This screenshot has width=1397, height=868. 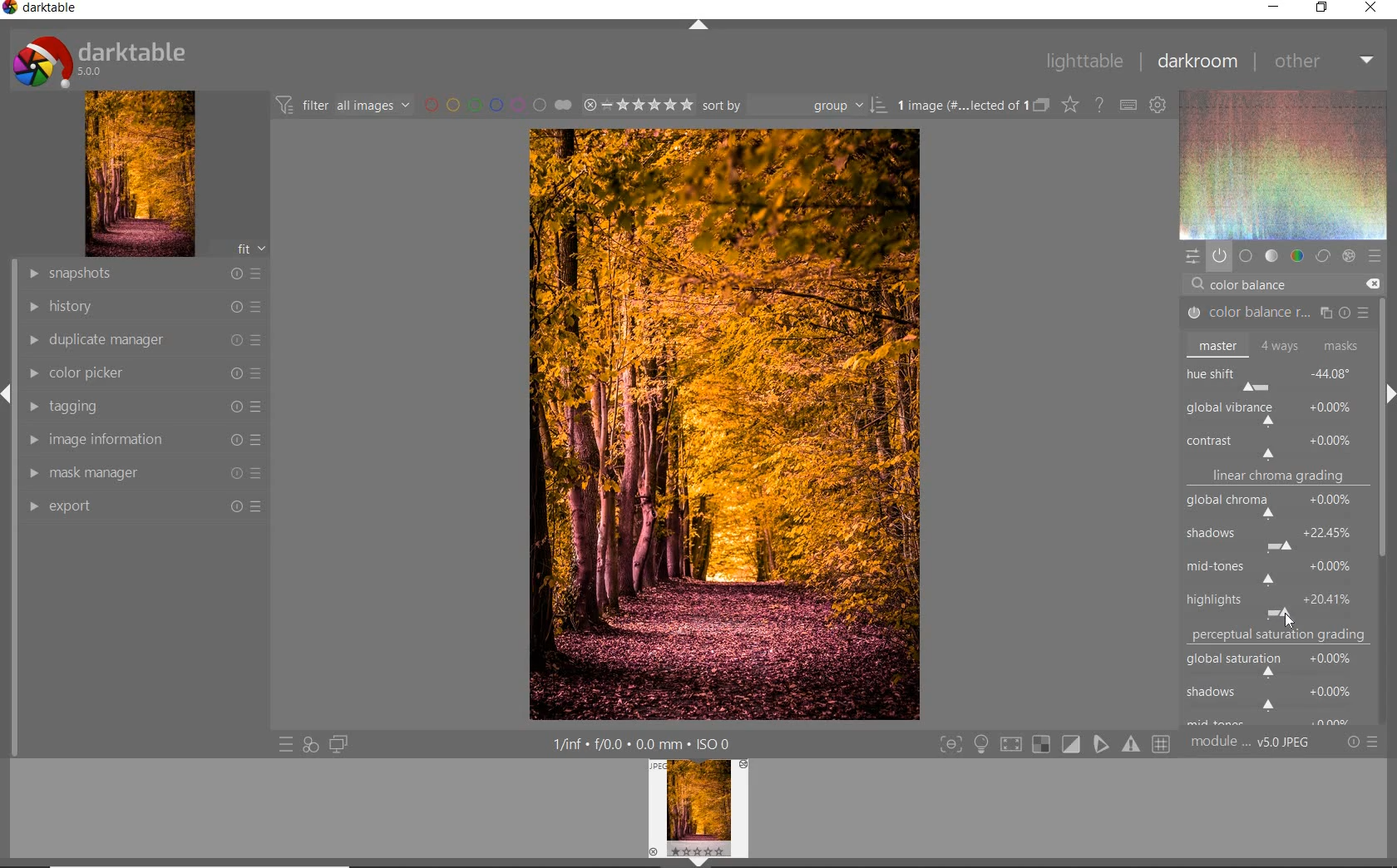 What do you see at coordinates (1275, 601) in the screenshot?
I see `highlights` at bounding box center [1275, 601].